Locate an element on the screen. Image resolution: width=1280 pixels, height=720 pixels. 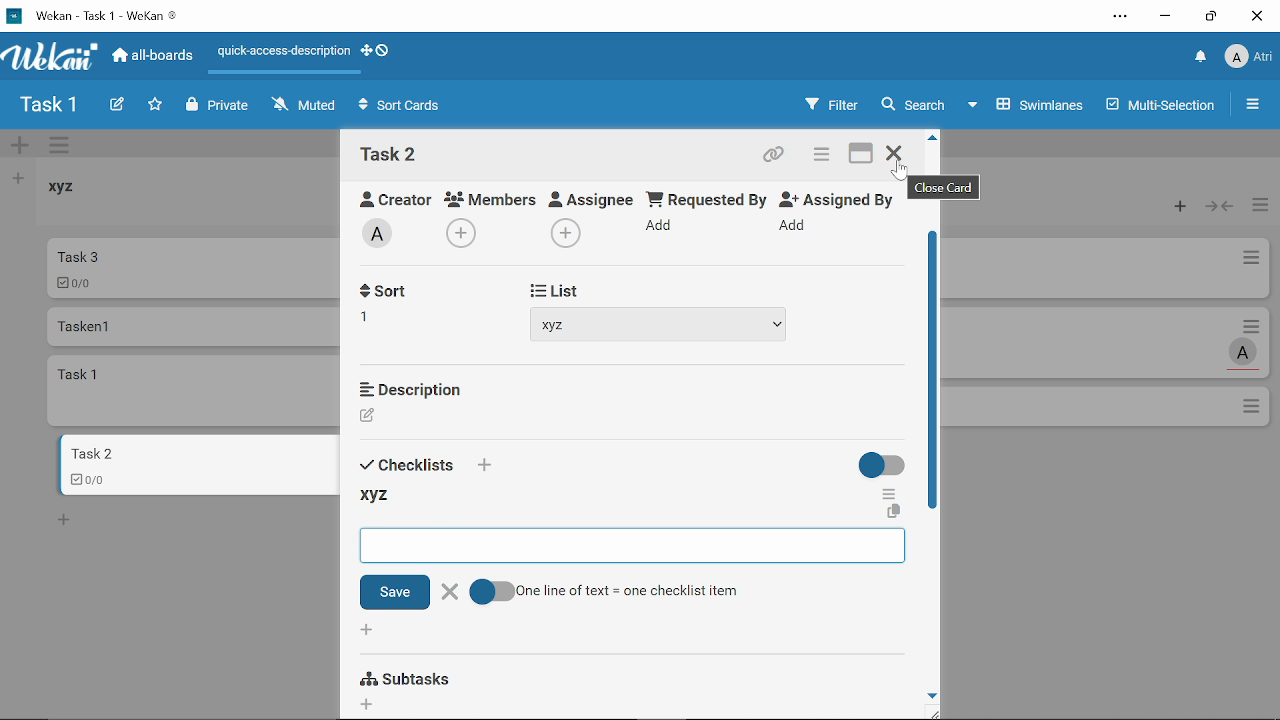
card named "task 1" is located at coordinates (195, 390).